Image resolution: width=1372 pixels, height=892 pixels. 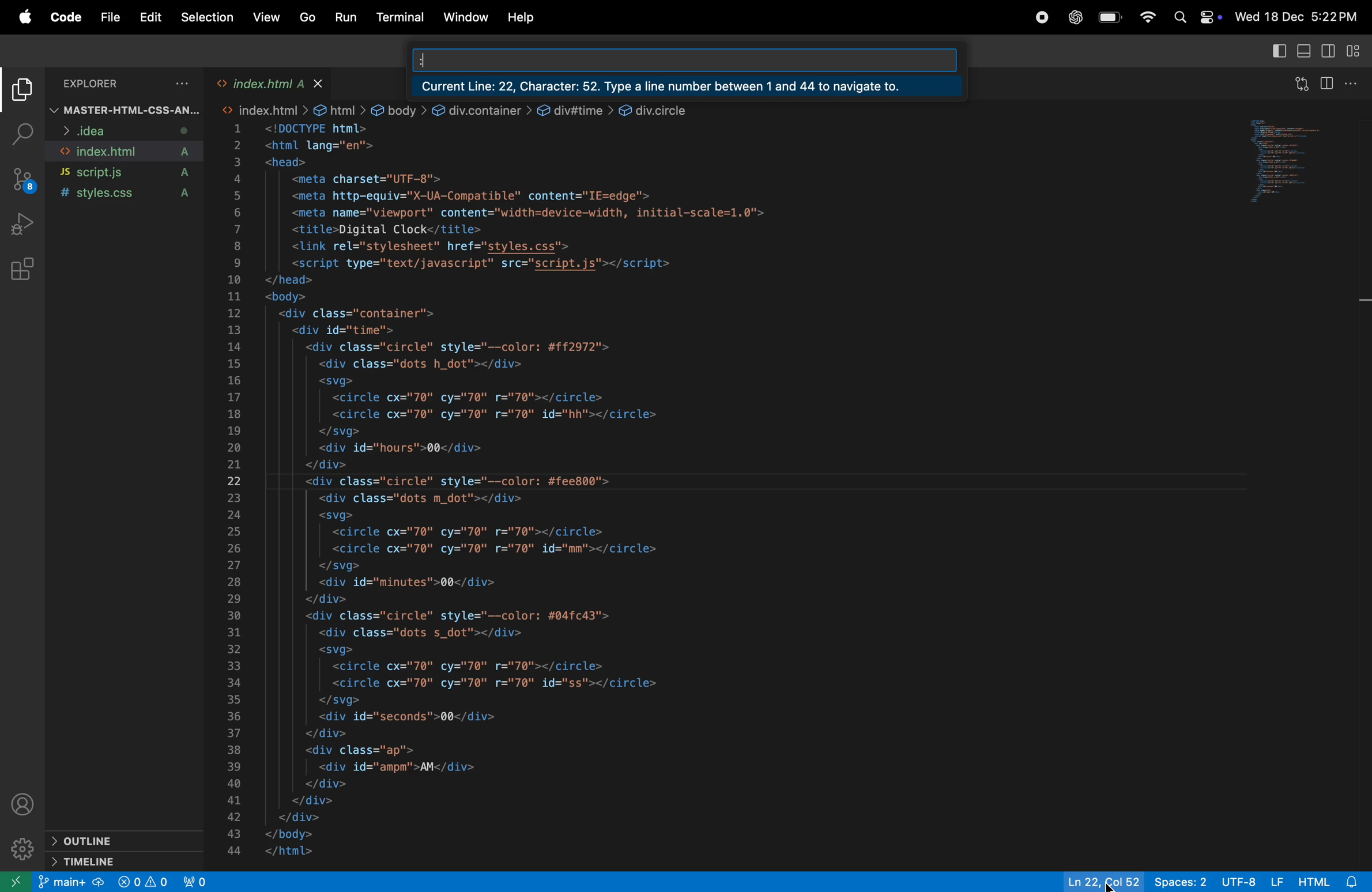 I want to click on close, so click(x=322, y=82).